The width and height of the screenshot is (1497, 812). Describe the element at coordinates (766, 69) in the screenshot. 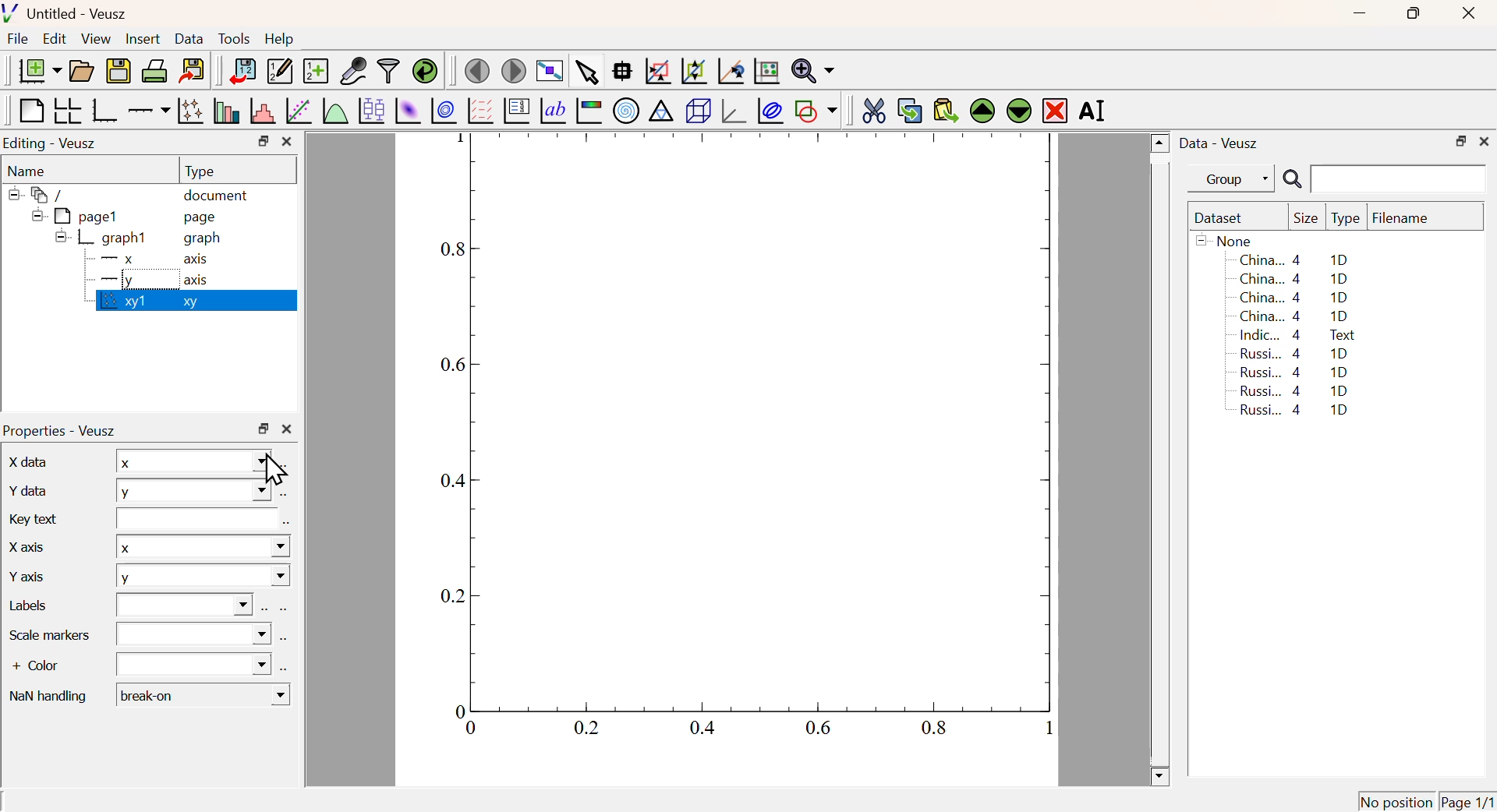

I see `Click to Reset Graph axis` at that location.